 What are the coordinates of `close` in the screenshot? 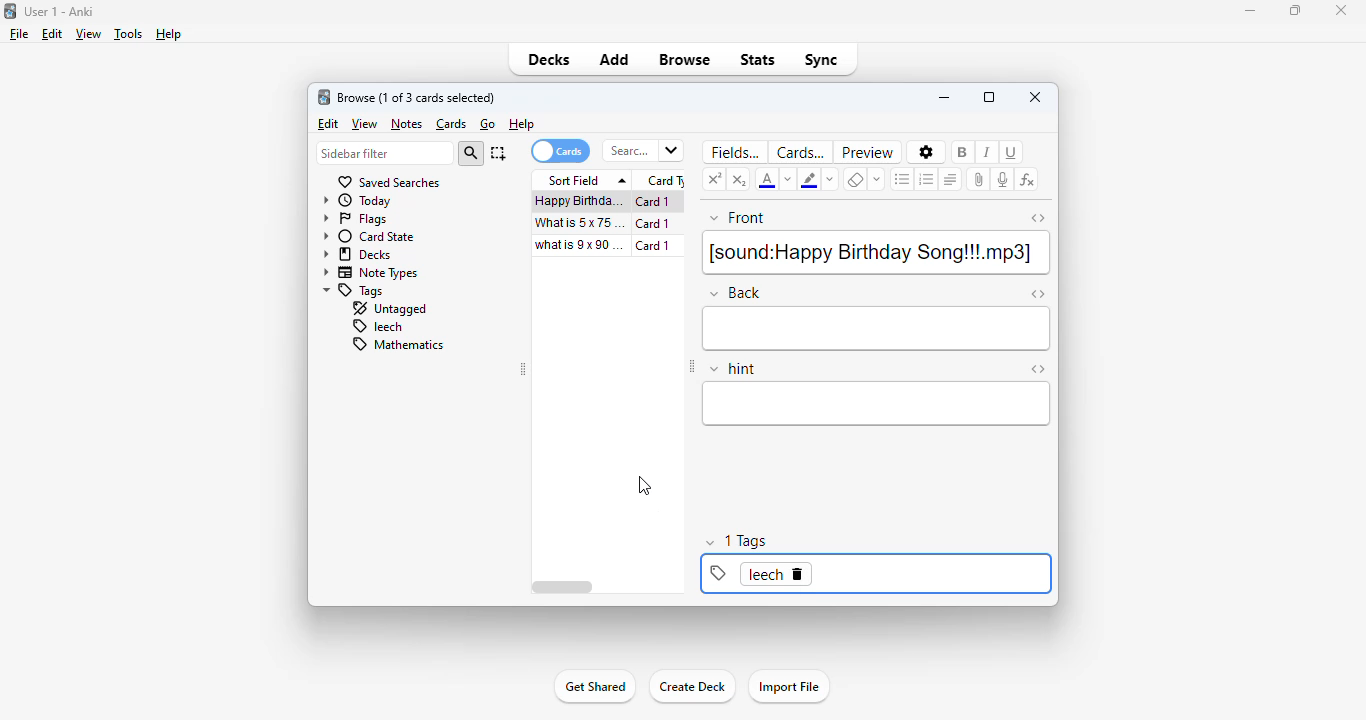 It's located at (1035, 97).